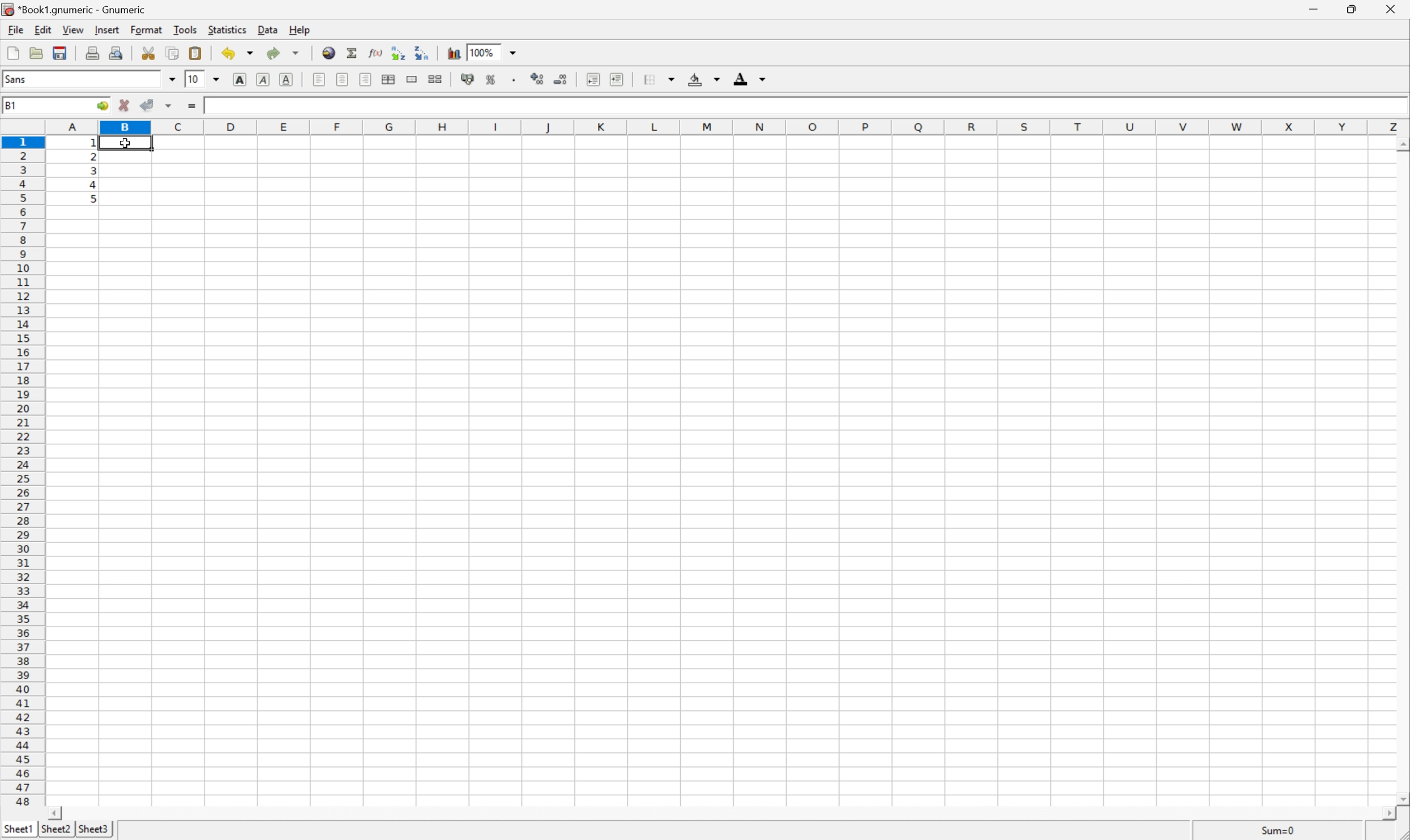 Image resolution: width=1410 pixels, height=840 pixels. Describe the element at coordinates (125, 144) in the screenshot. I see `Cursor` at that location.